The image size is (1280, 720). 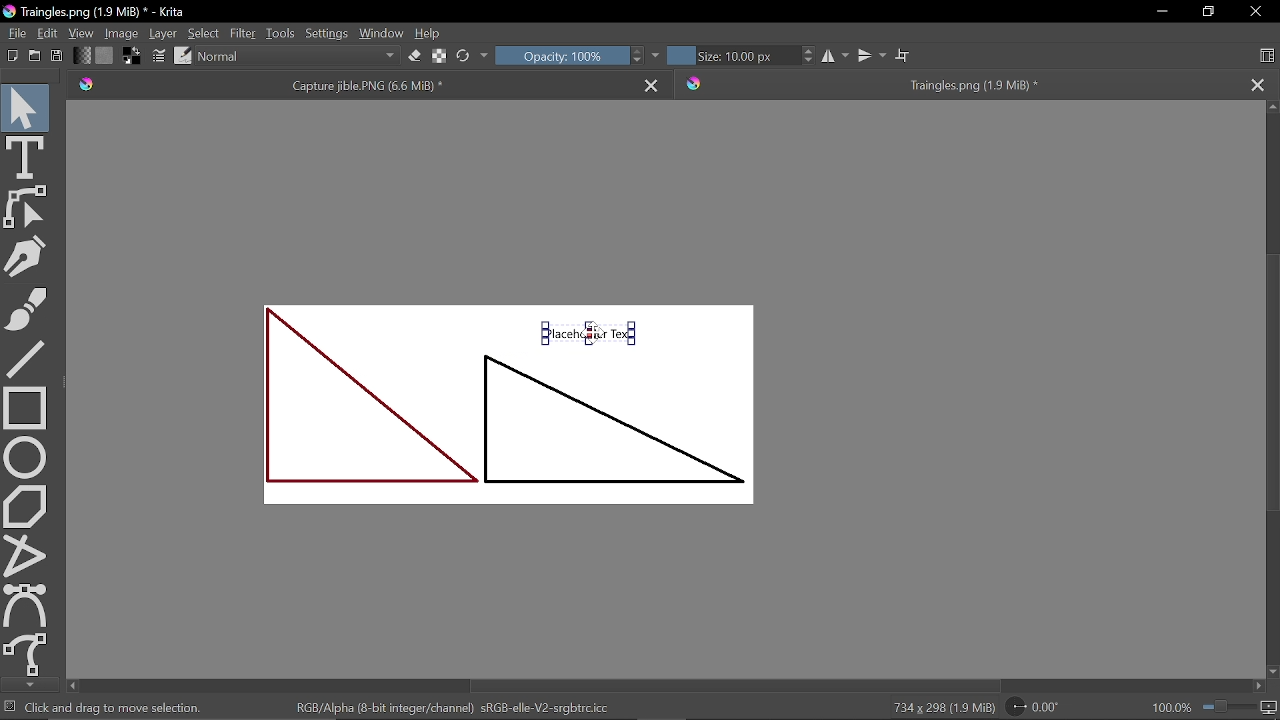 What do you see at coordinates (462, 58) in the screenshot?
I see `Reload original preset` at bounding box center [462, 58].